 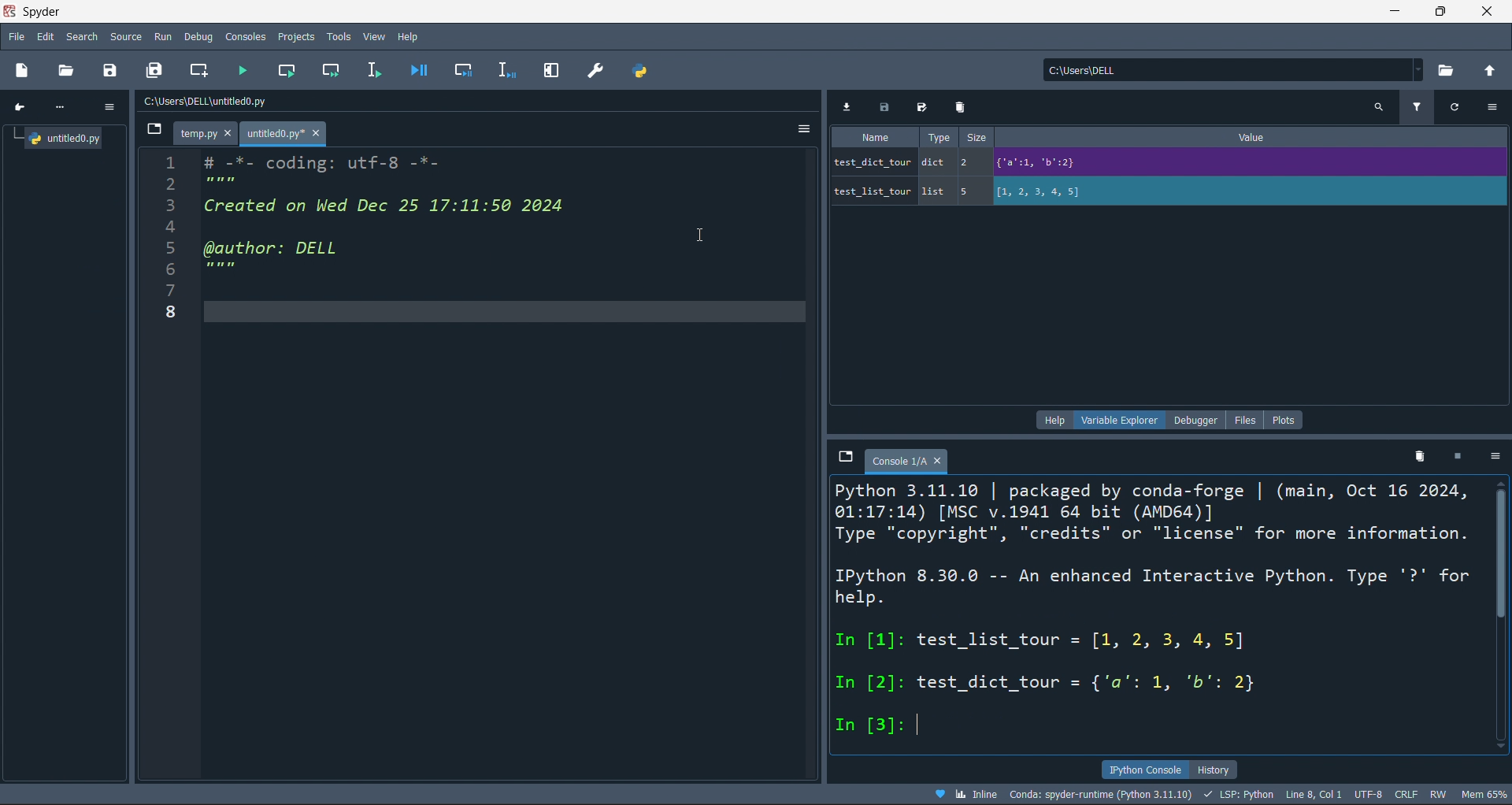 I want to click on file, so click(x=1247, y=418).